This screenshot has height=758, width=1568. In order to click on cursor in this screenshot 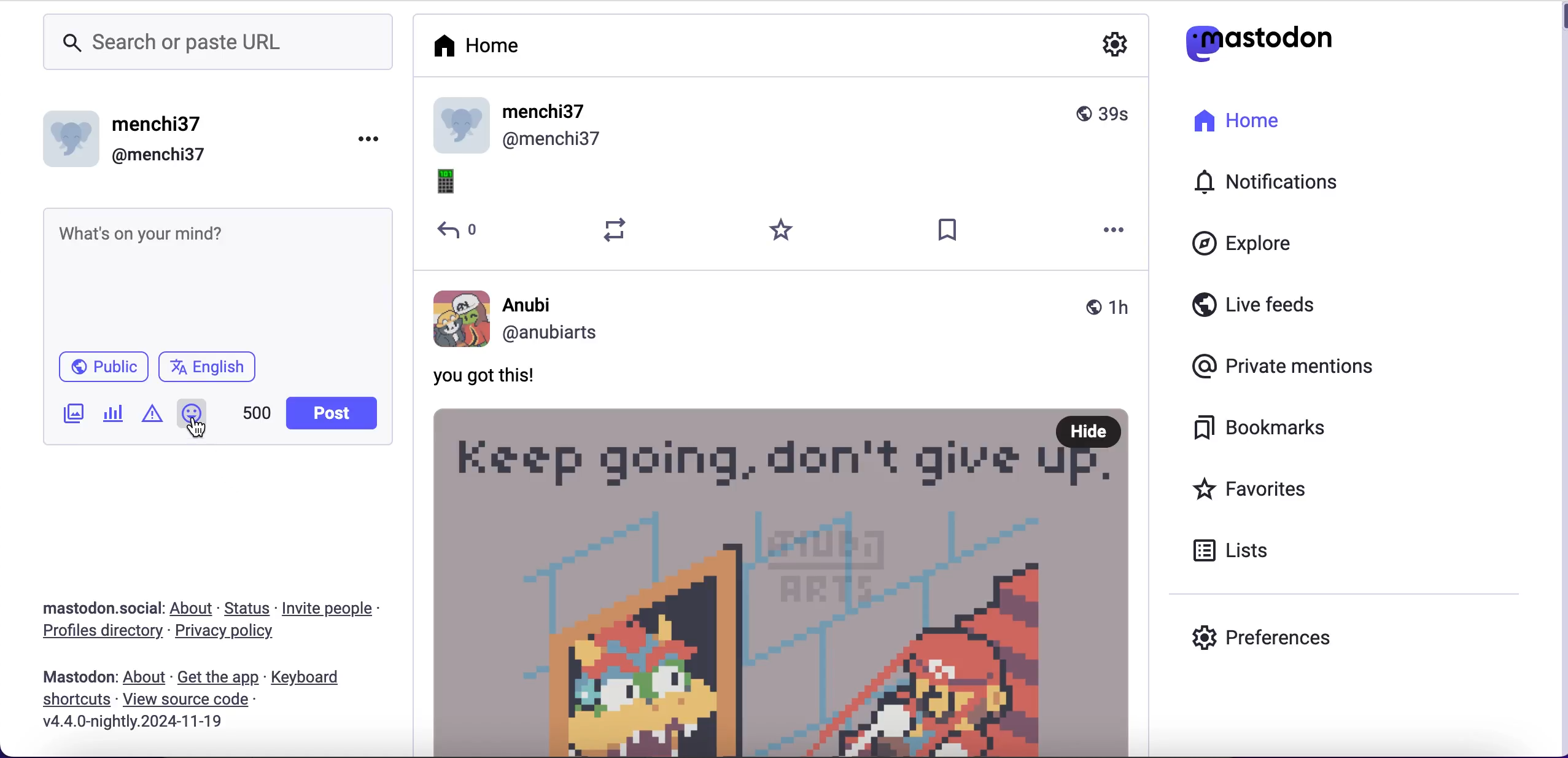, I will do `click(199, 432)`.